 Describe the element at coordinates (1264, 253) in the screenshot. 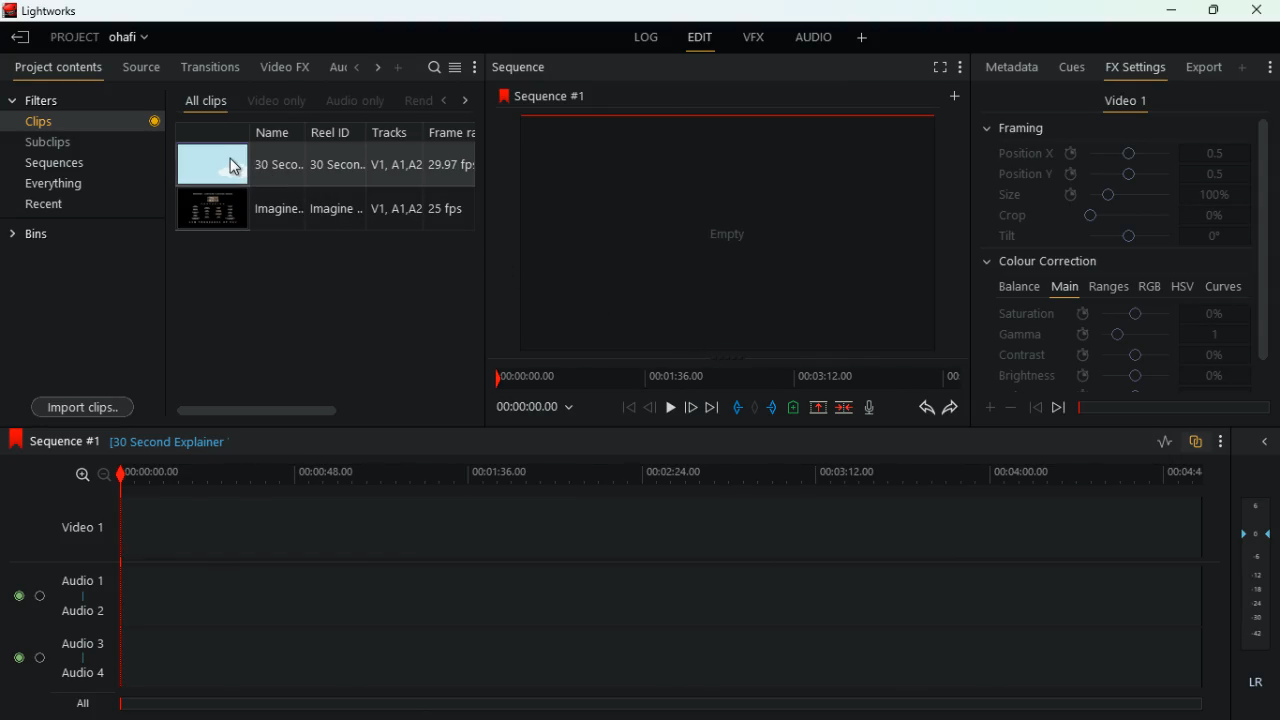

I see `vertical scroll bar` at that location.